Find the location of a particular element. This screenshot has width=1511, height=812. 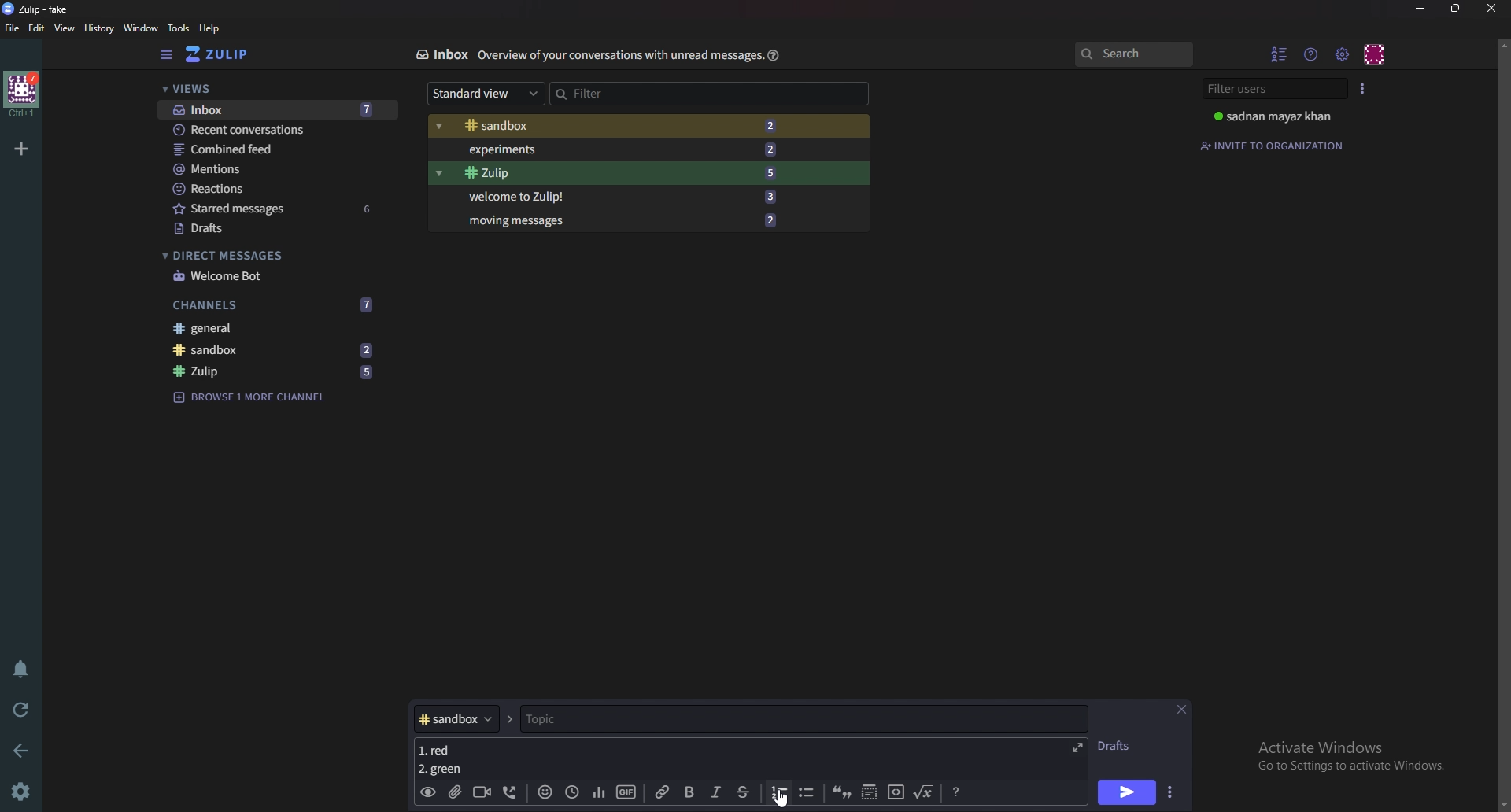

Drafts is located at coordinates (272, 228).